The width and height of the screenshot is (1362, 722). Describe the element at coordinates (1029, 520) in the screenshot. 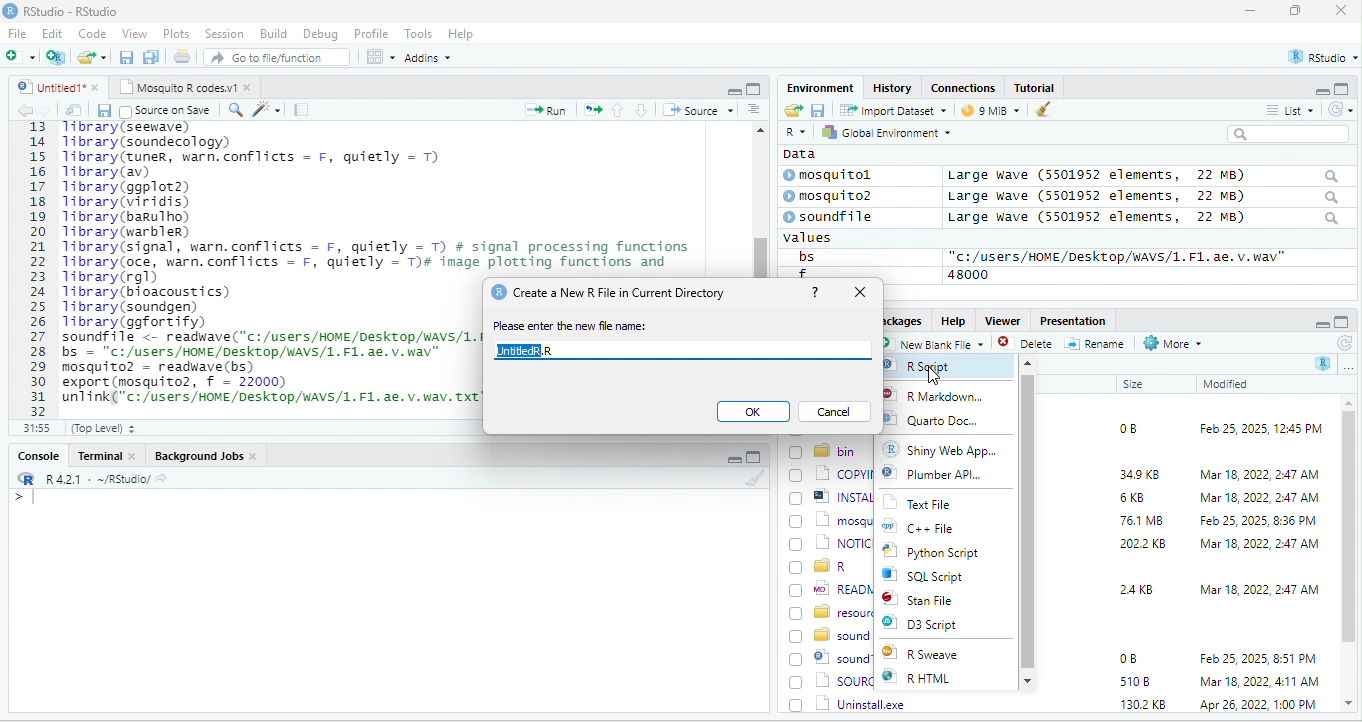

I see `scroll bar` at that location.